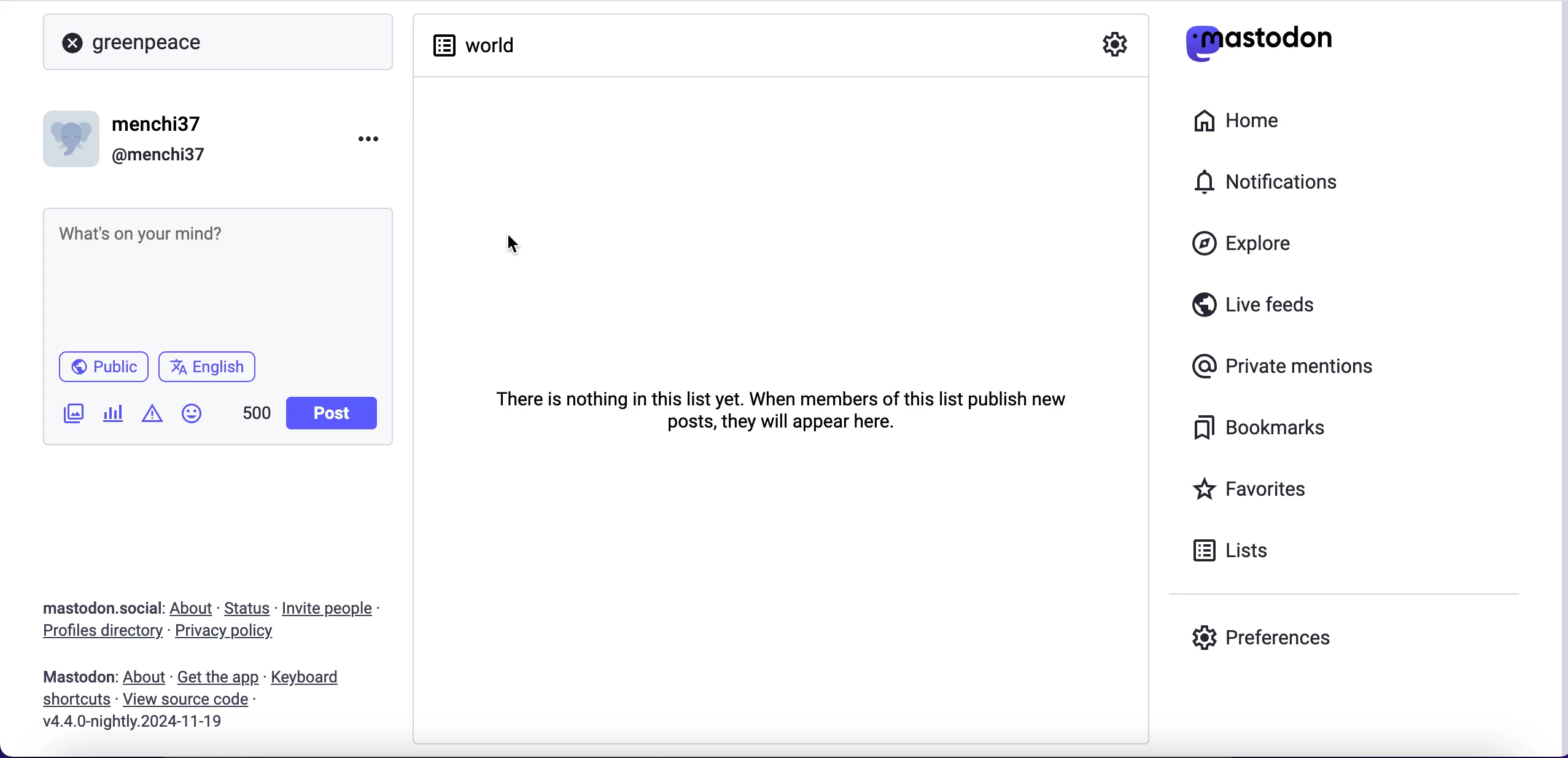 The height and width of the screenshot is (758, 1568). Describe the element at coordinates (334, 609) in the screenshot. I see `invite people` at that location.